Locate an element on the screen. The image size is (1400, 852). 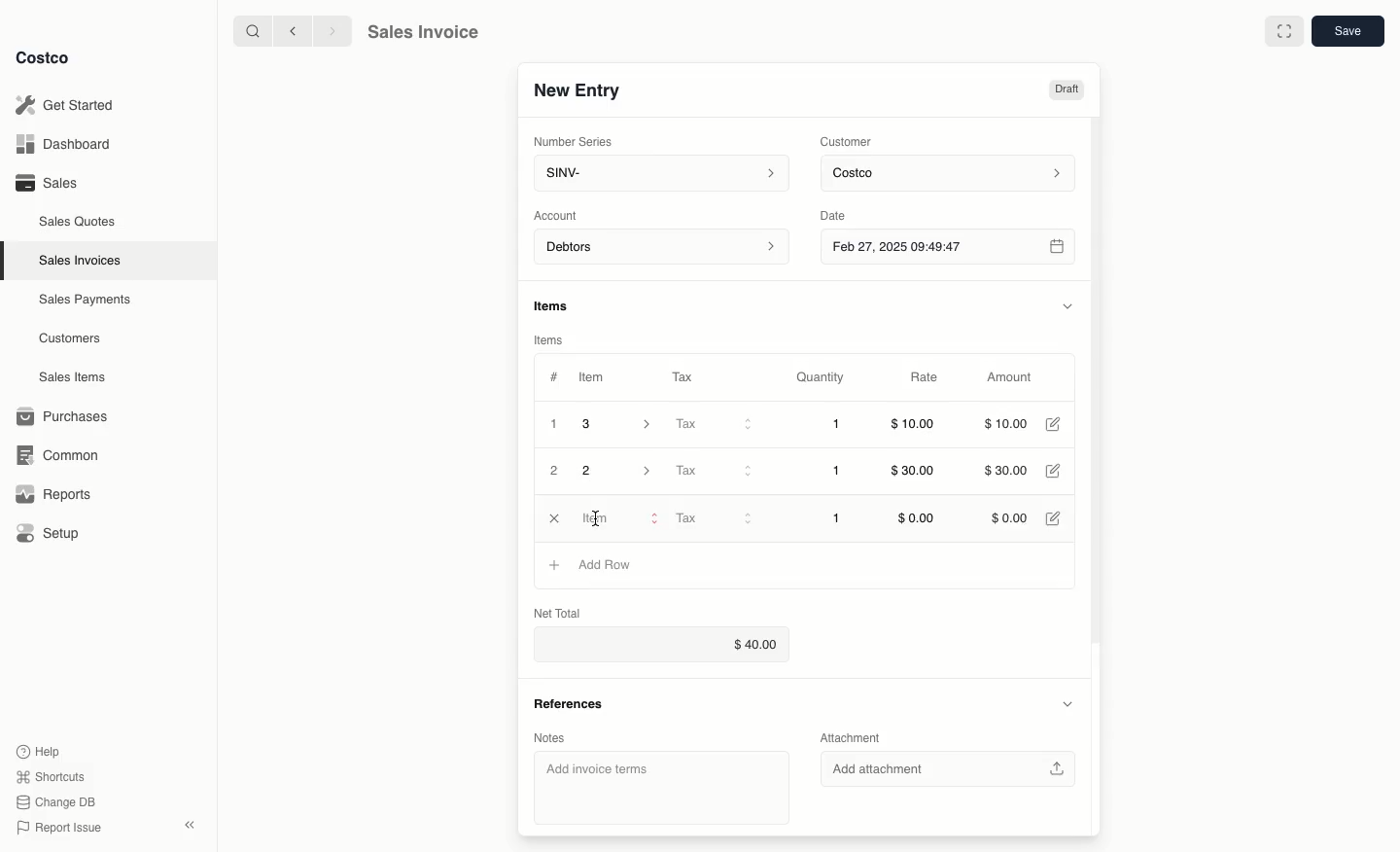
2 is located at coordinates (555, 472).